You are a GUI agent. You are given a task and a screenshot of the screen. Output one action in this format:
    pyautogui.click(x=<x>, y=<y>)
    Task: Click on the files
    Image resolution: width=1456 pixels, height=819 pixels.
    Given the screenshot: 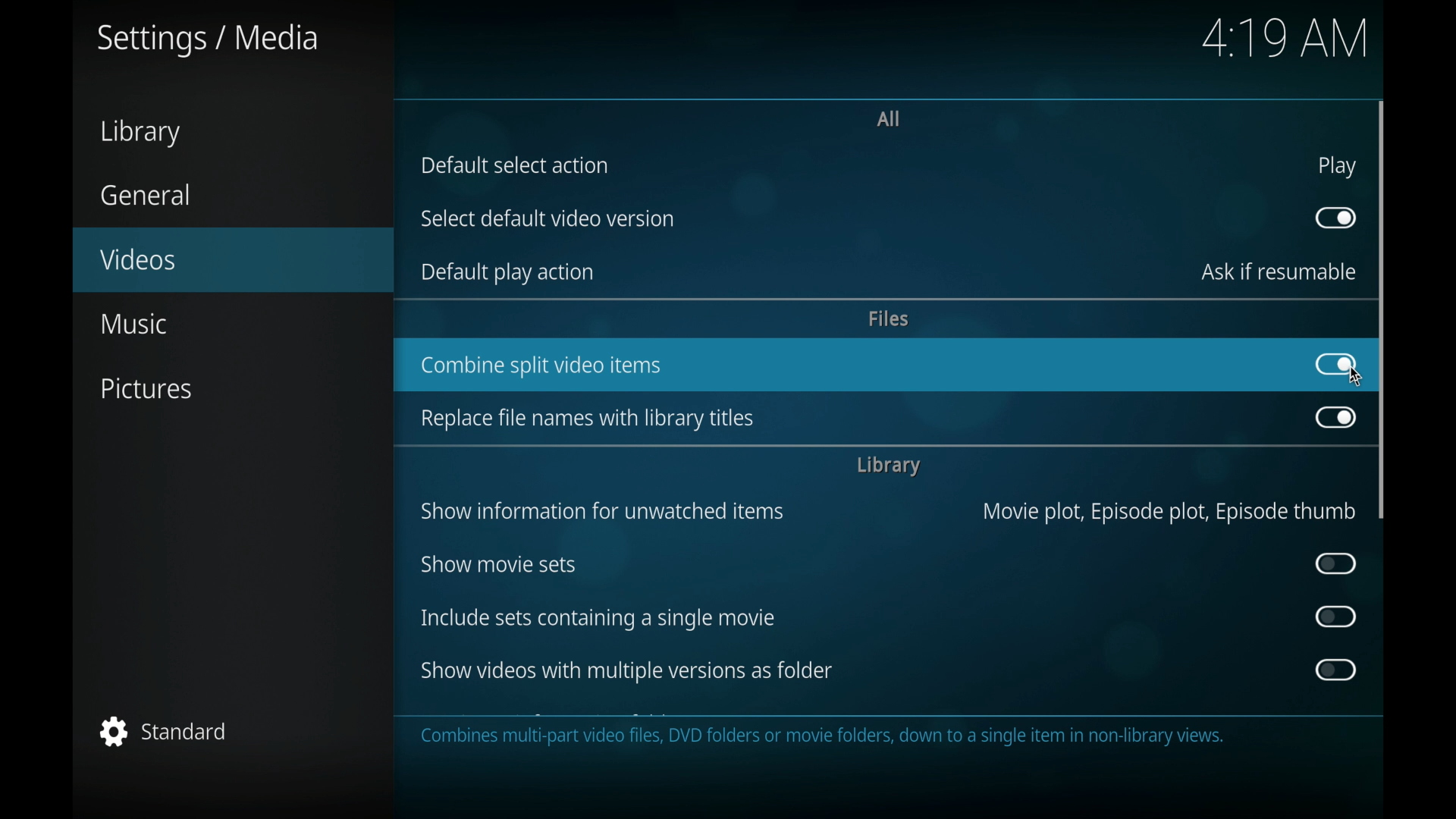 What is the action you would take?
    pyautogui.click(x=890, y=319)
    